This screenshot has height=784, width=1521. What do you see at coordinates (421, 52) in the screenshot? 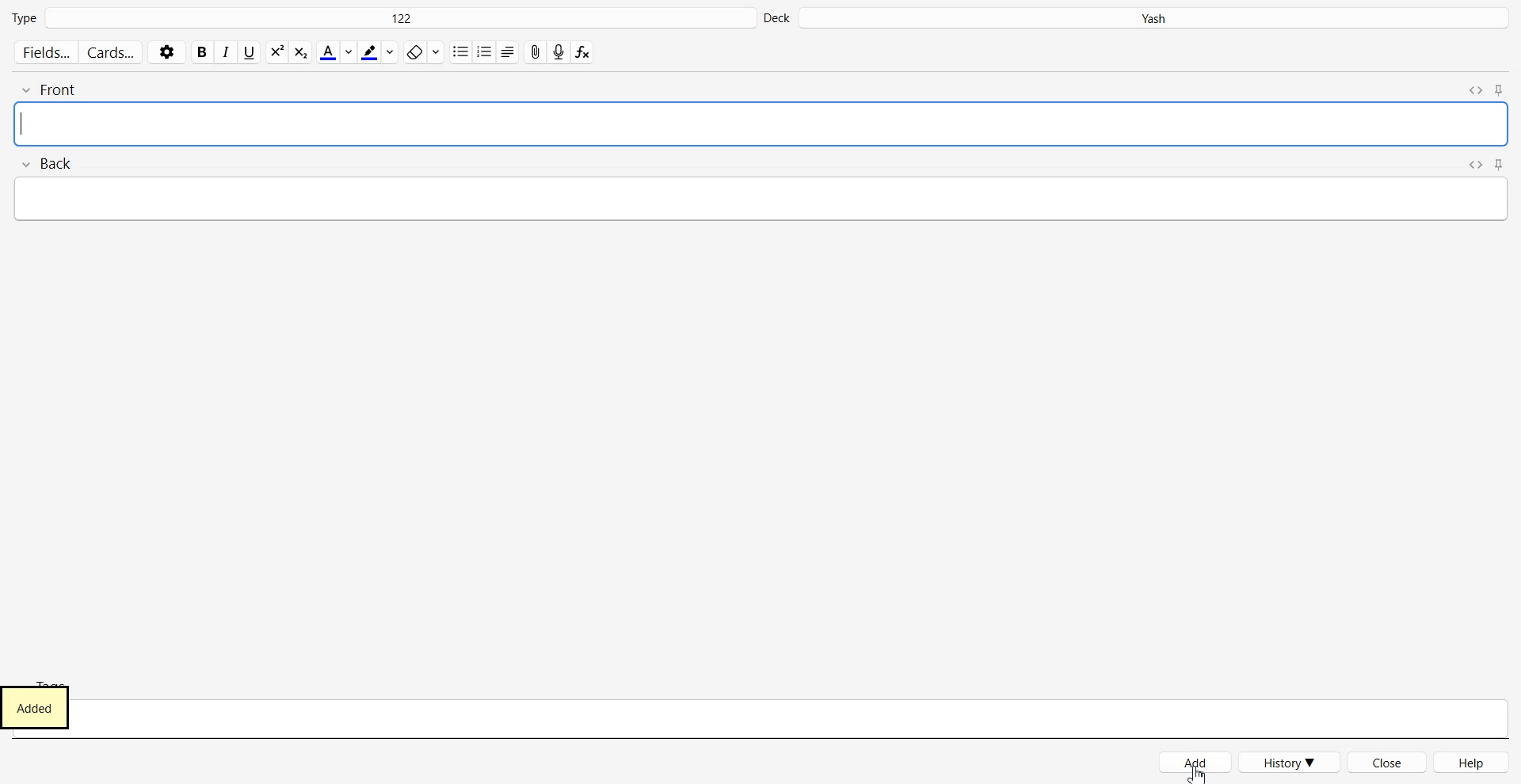
I see `Erase Format` at bounding box center [421, 52].